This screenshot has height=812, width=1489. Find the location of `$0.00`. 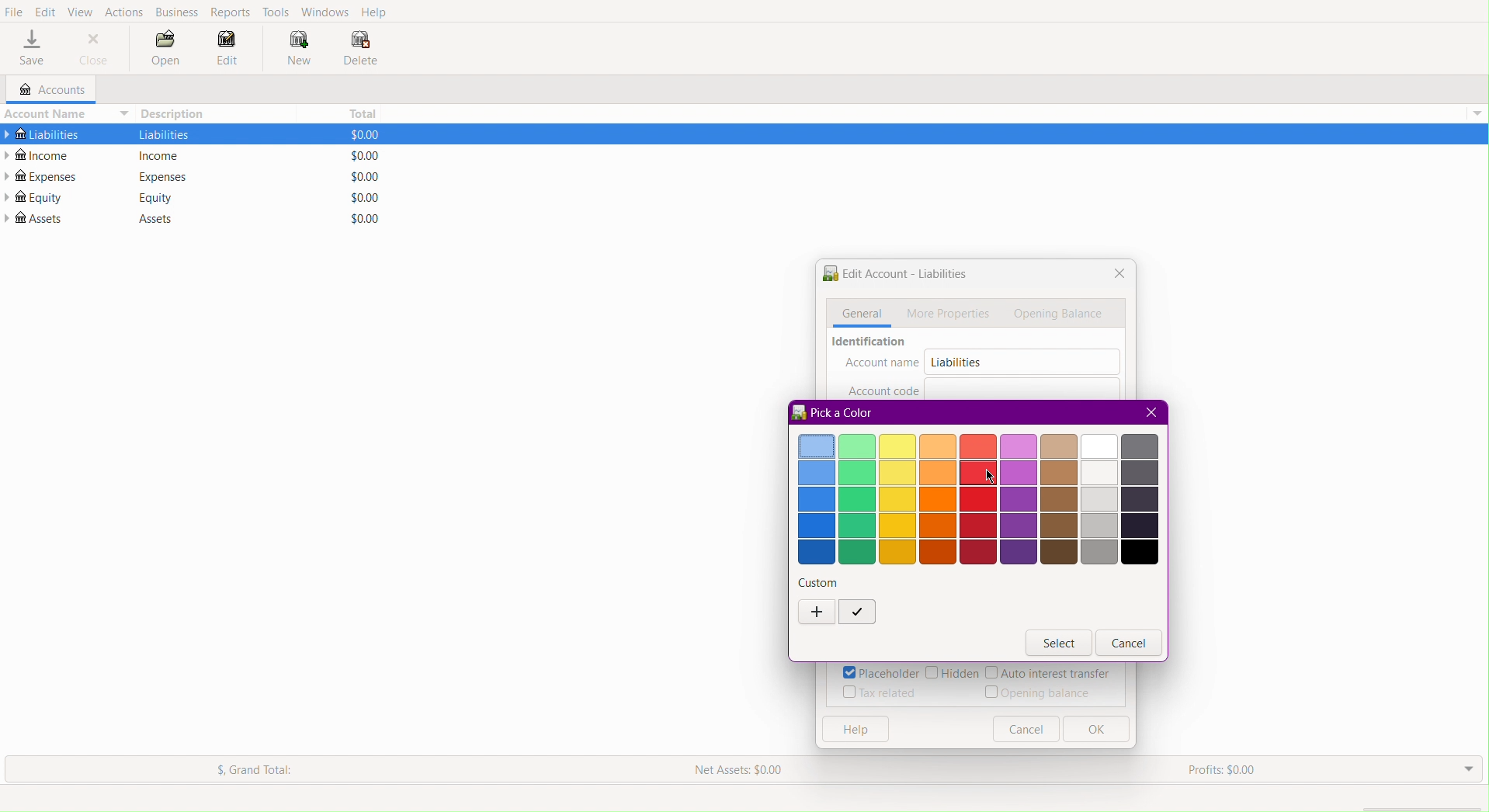

$0.00 is located at coordinates (359, 155).